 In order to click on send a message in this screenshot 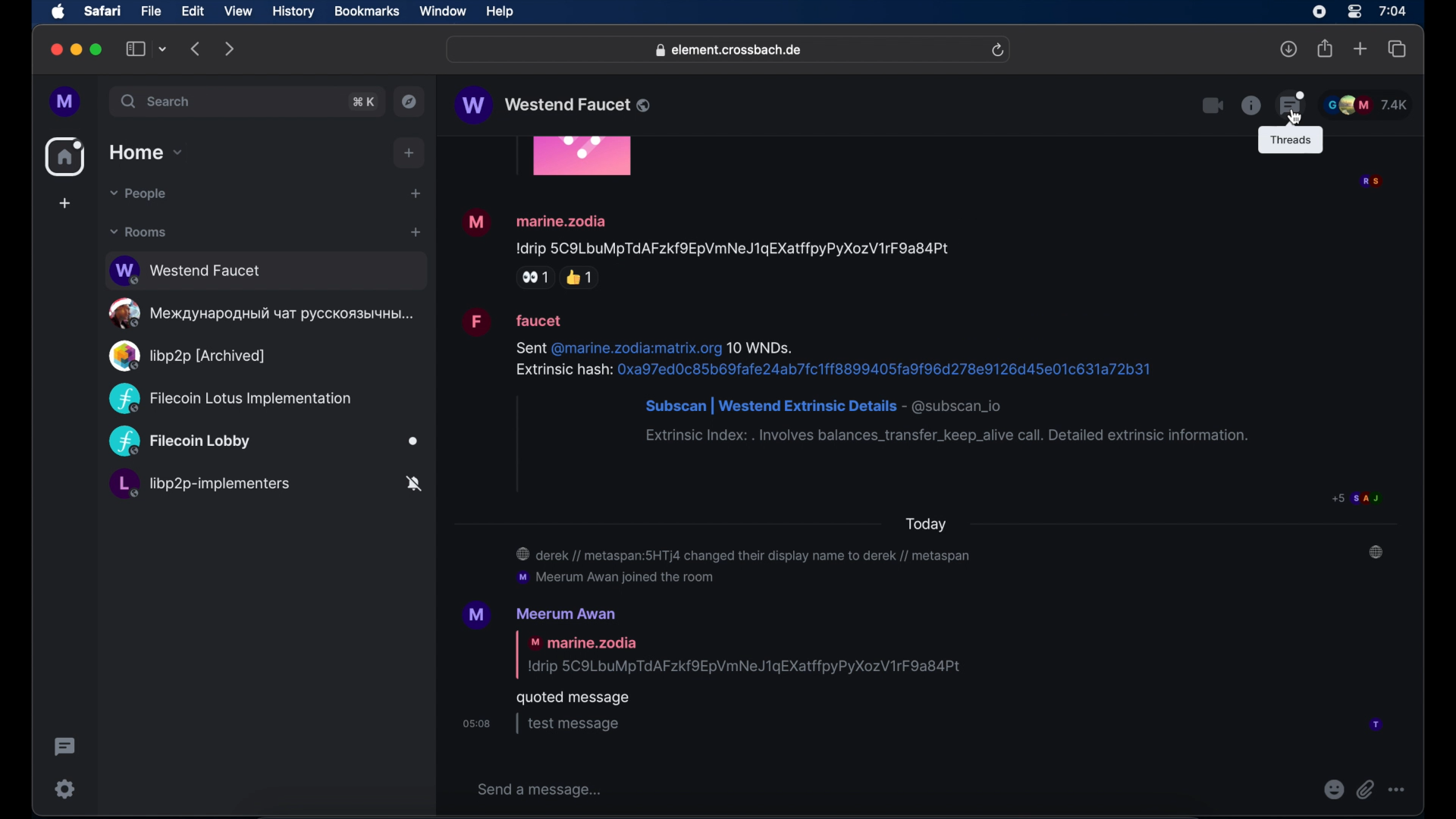, I will do `click(537, 792)`.